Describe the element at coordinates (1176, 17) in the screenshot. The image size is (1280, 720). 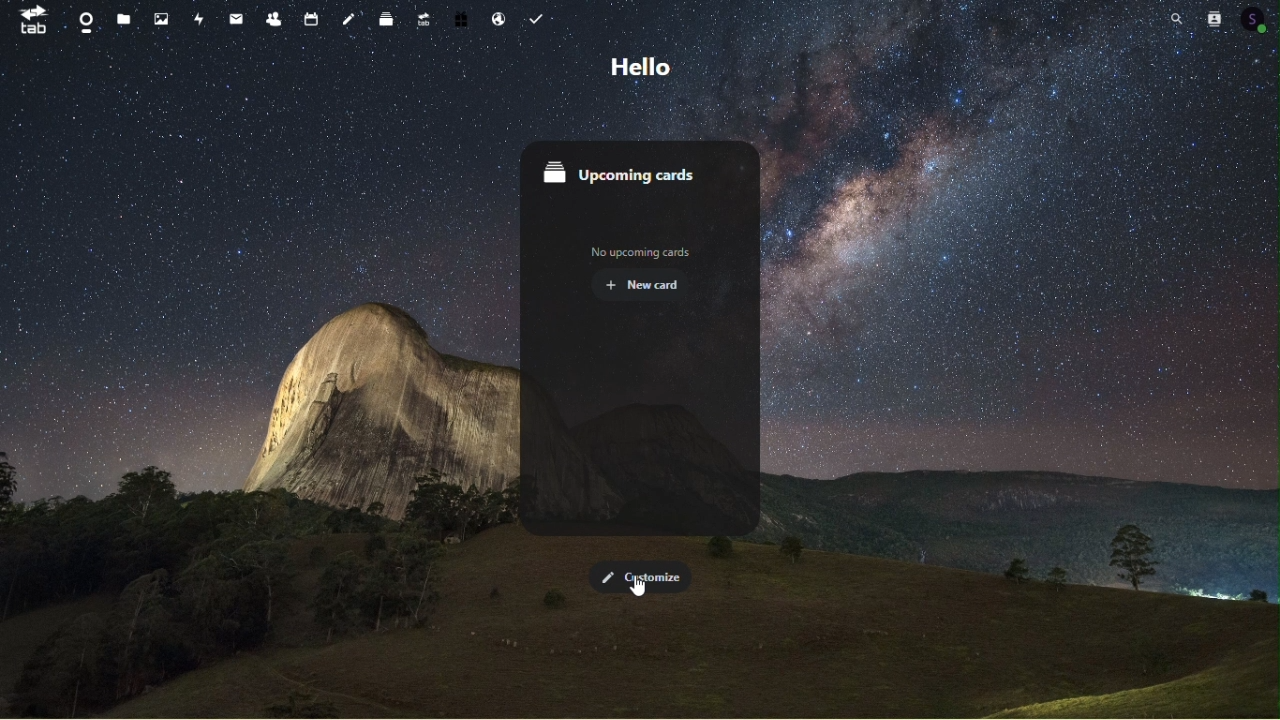
I see `Search` at that location.